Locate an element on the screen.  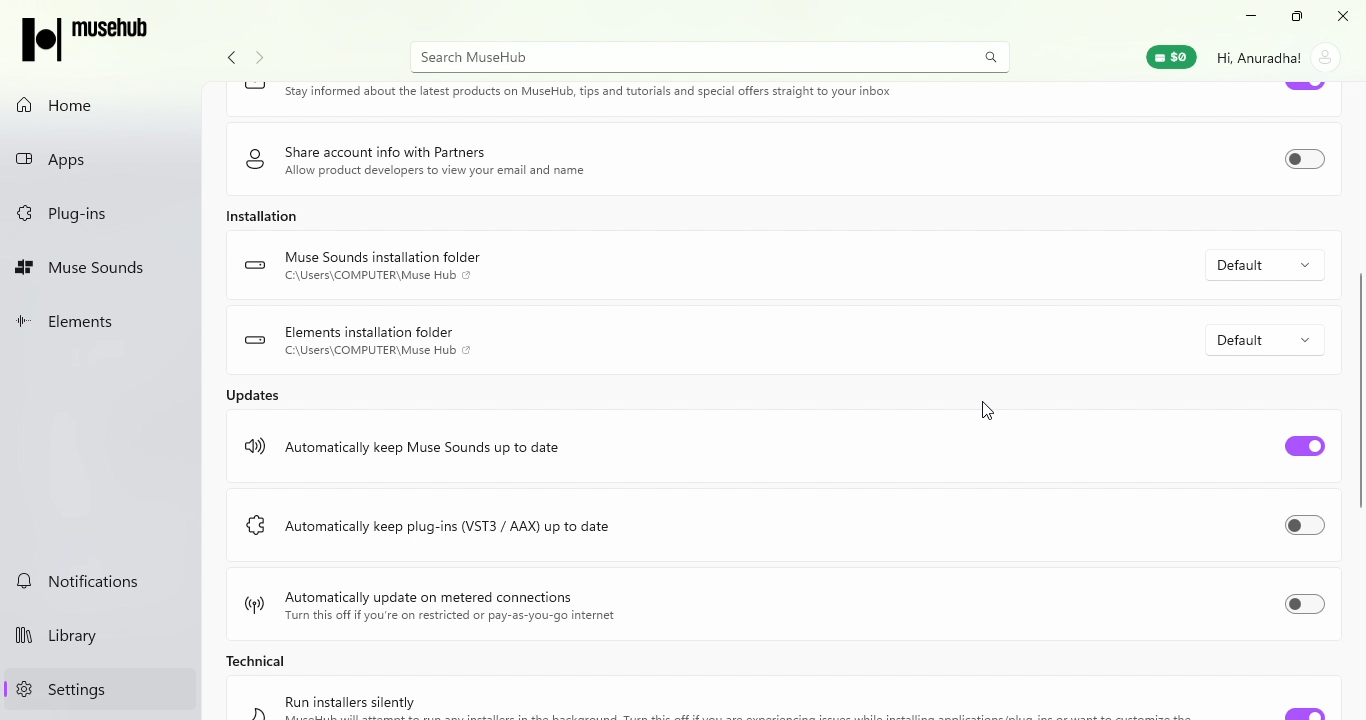
Muse Sounds is located at coordinates (98, 269).